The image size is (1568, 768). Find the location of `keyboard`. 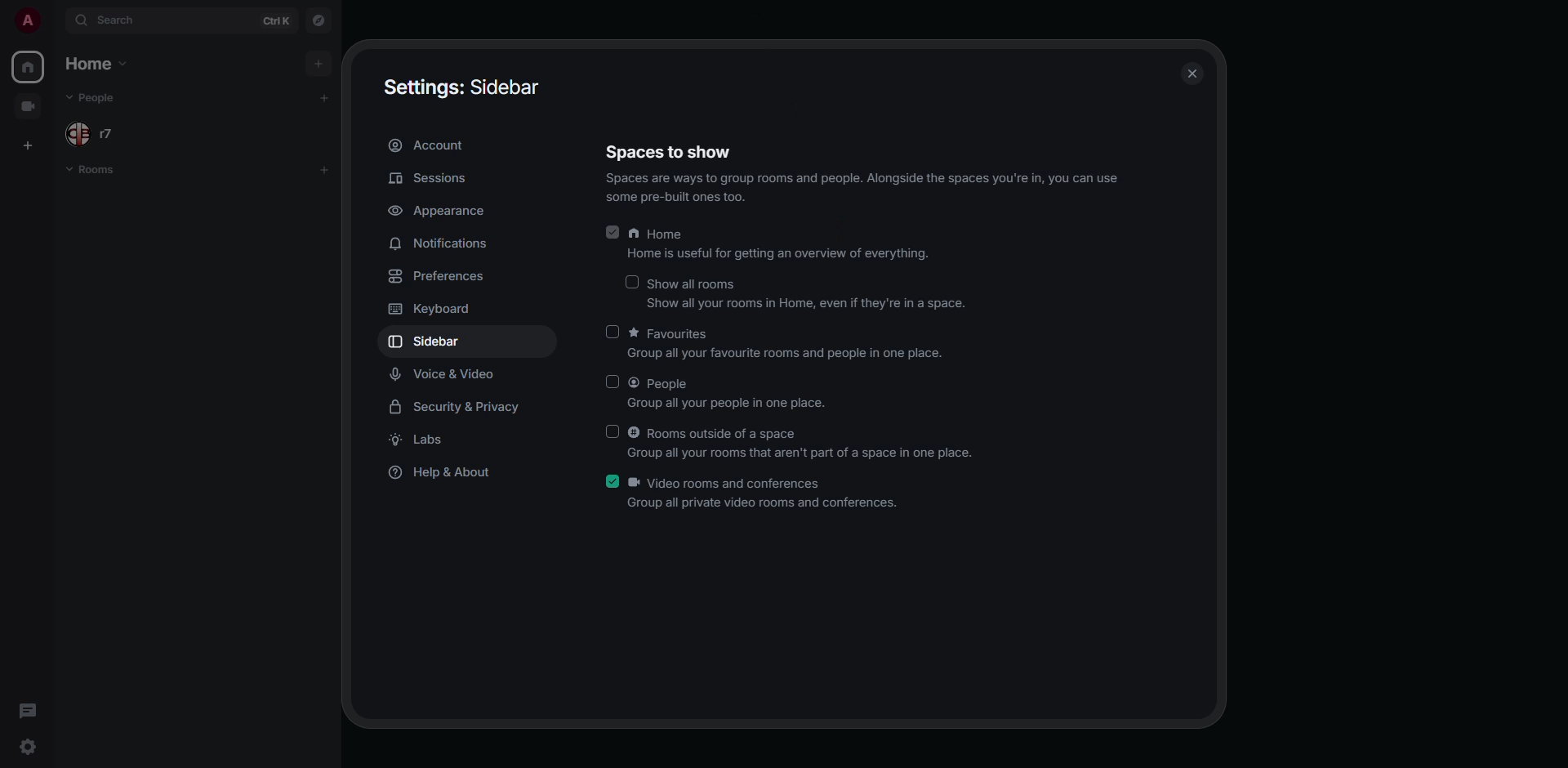

keyboard is located at coordinates (436, 308).